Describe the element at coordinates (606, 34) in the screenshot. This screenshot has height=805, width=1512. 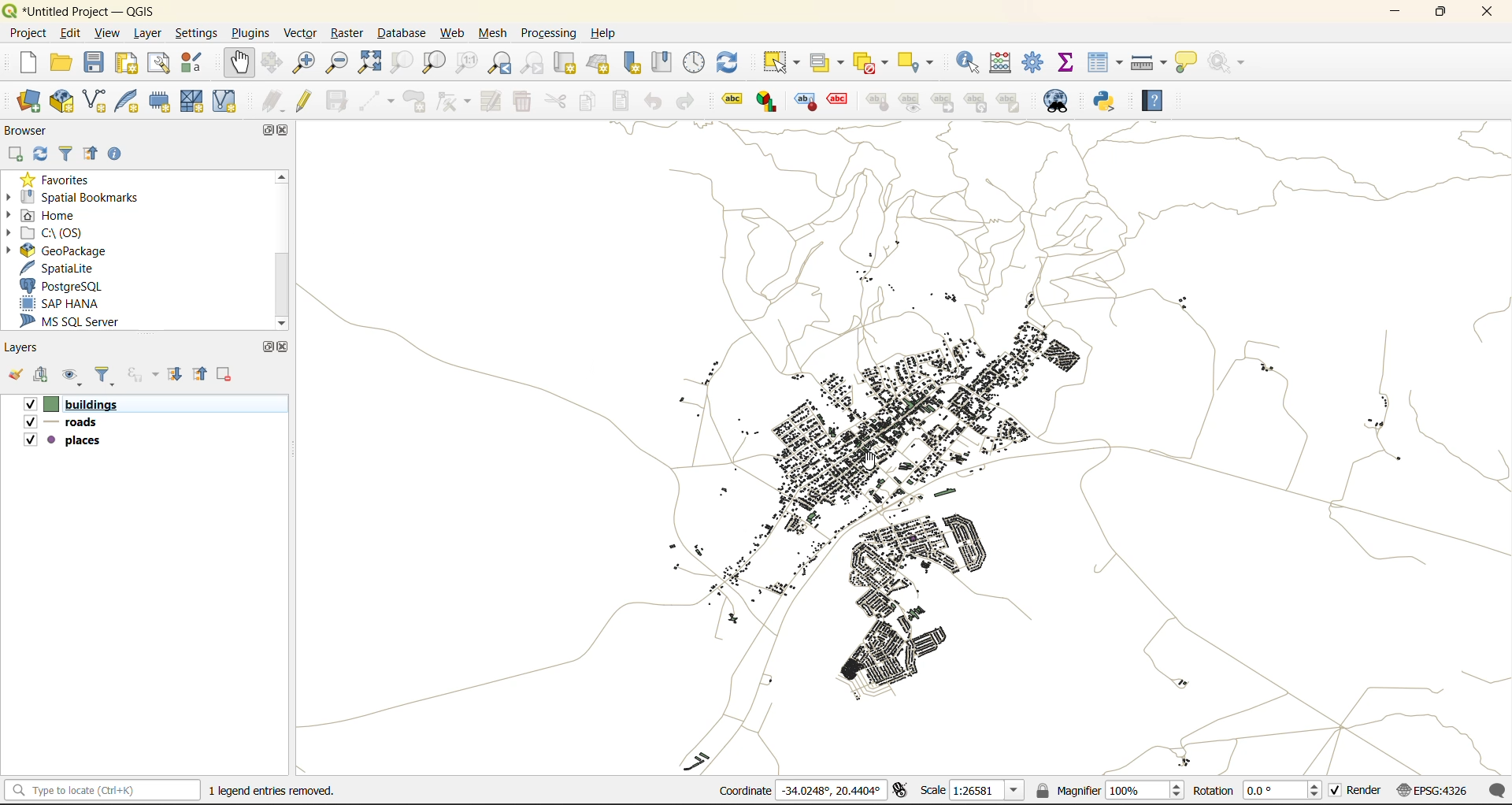
I see `help` at that location.